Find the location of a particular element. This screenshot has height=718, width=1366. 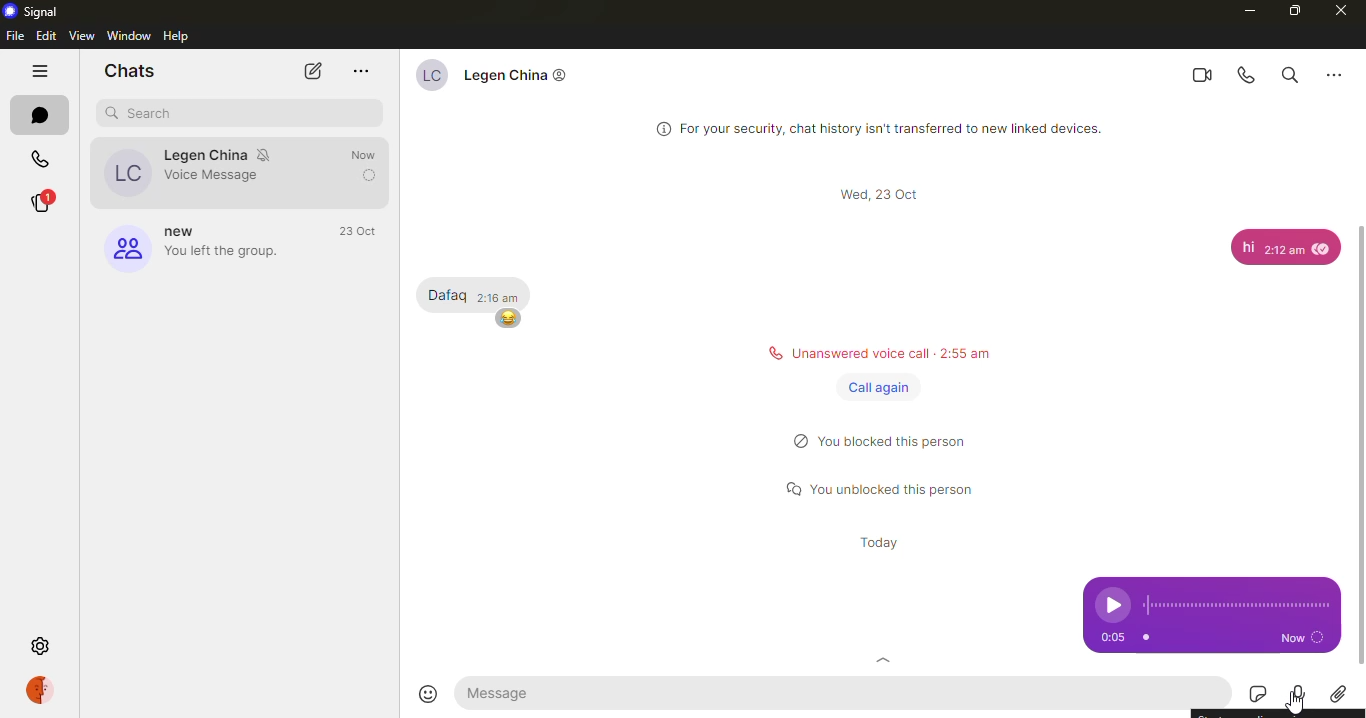

search is located at coordinates (145, 113).